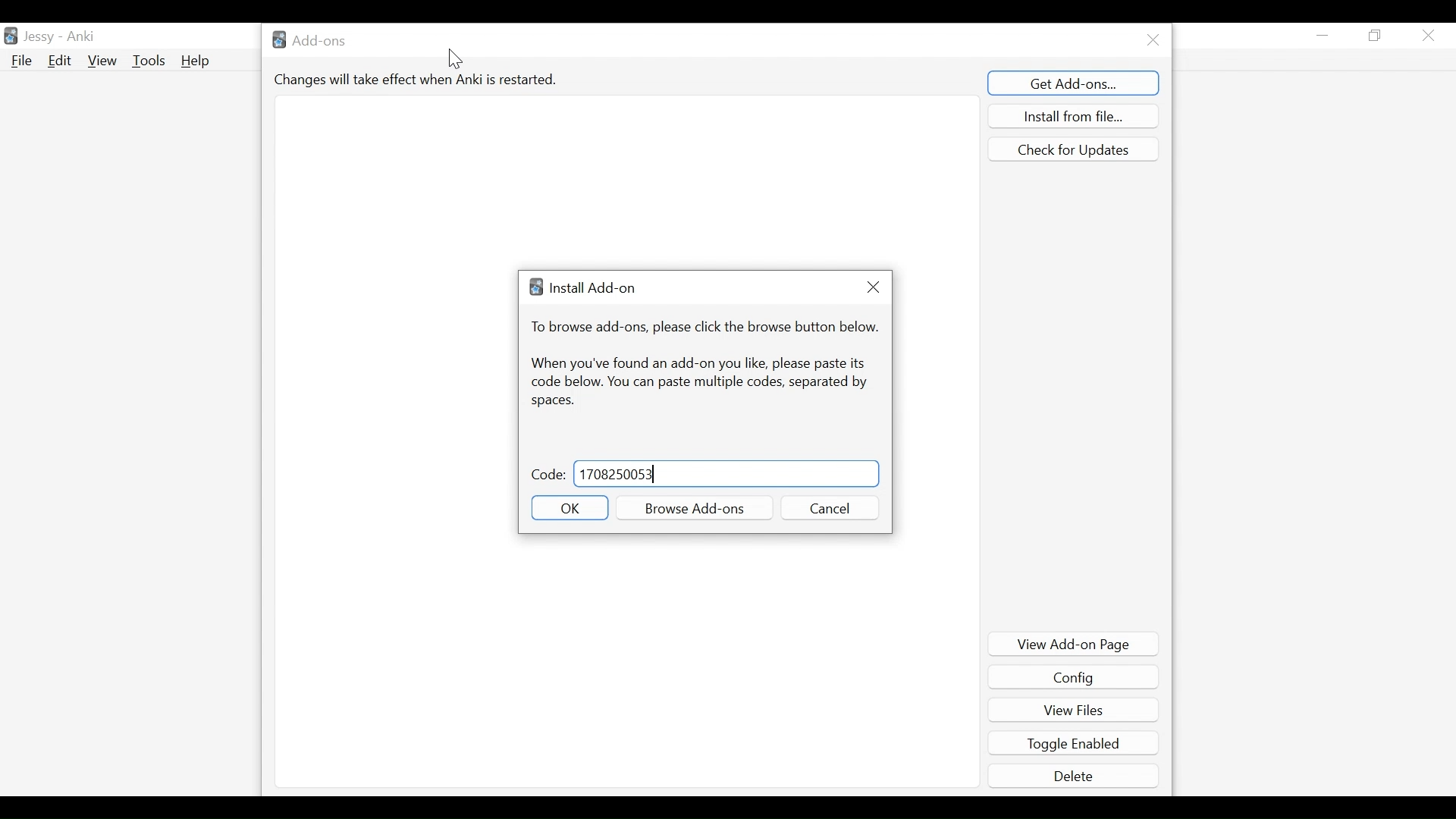 This screenshot has height=819, width=1456. I want to click on Code, so click(548, 474).